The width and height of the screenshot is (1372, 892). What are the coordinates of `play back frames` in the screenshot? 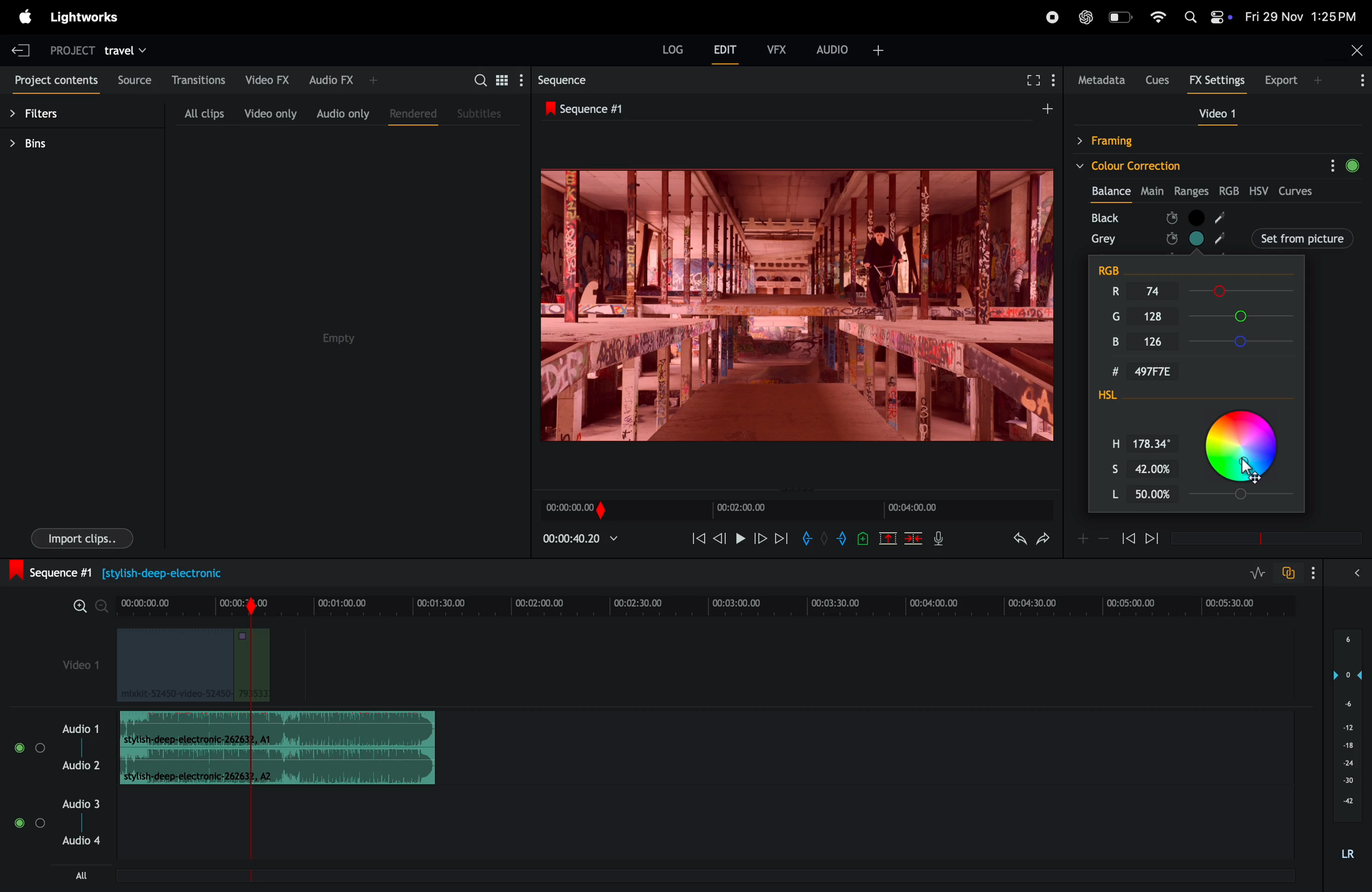 It's located at (795, 305).